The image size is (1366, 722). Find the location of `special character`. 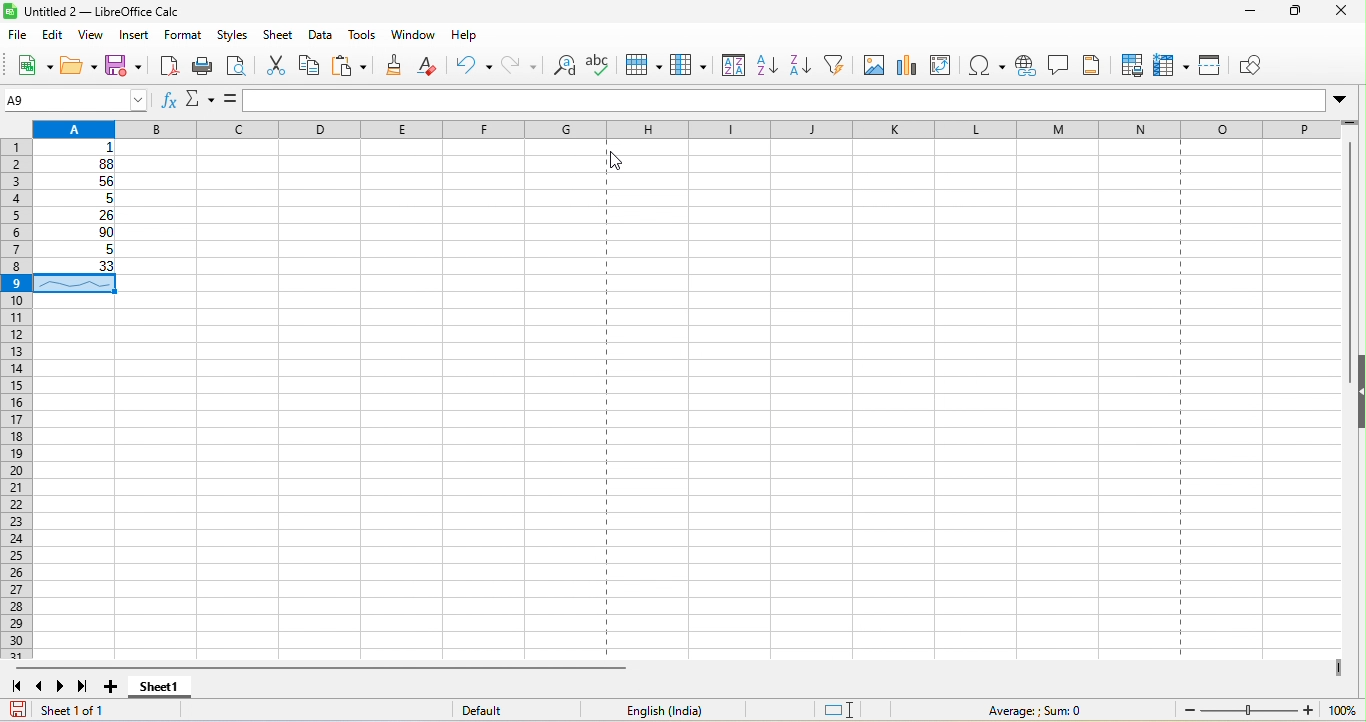

special character is located at coordinates (987, 67).